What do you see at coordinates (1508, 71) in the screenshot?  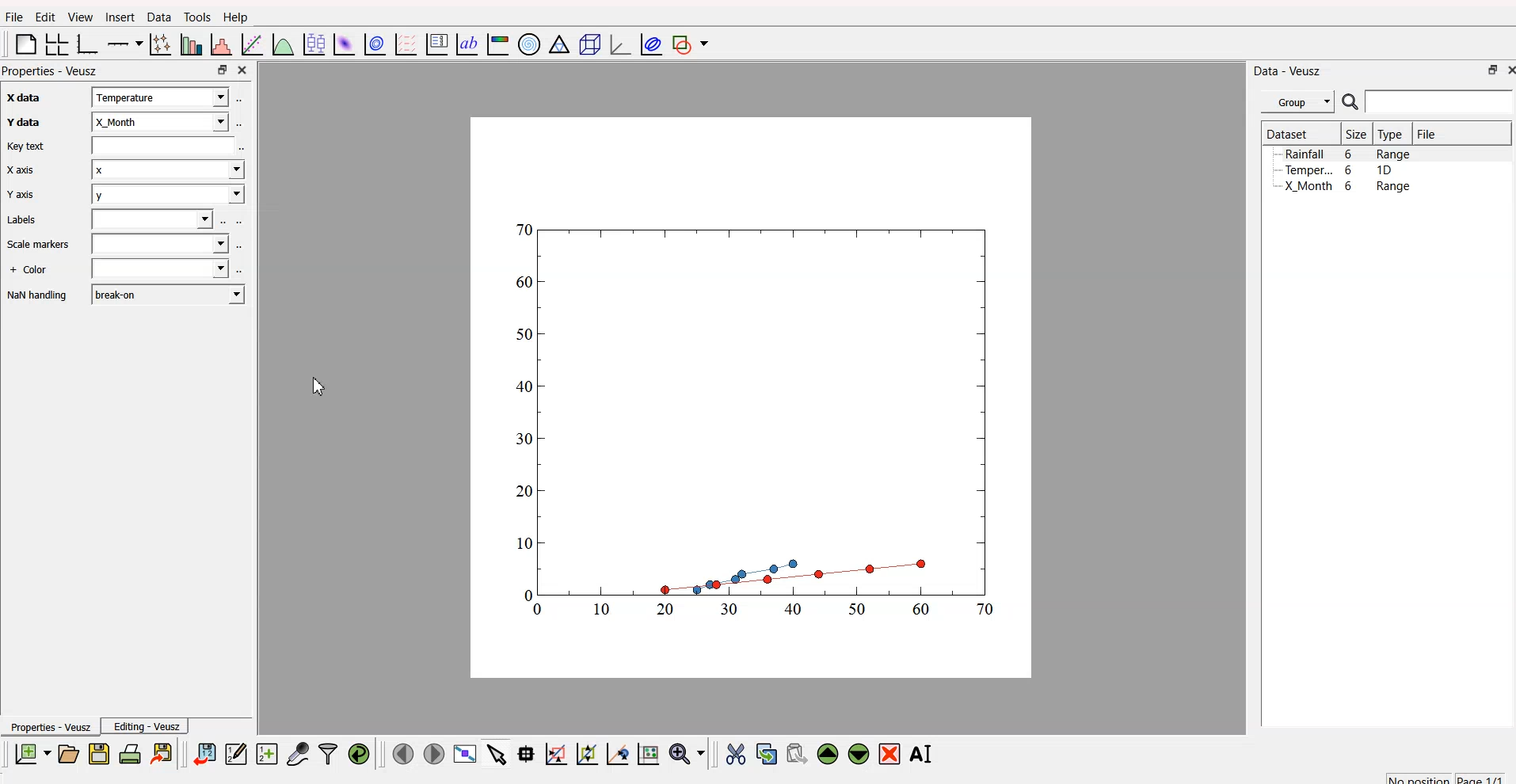 I see `close` at bounding box center [1508, 71].